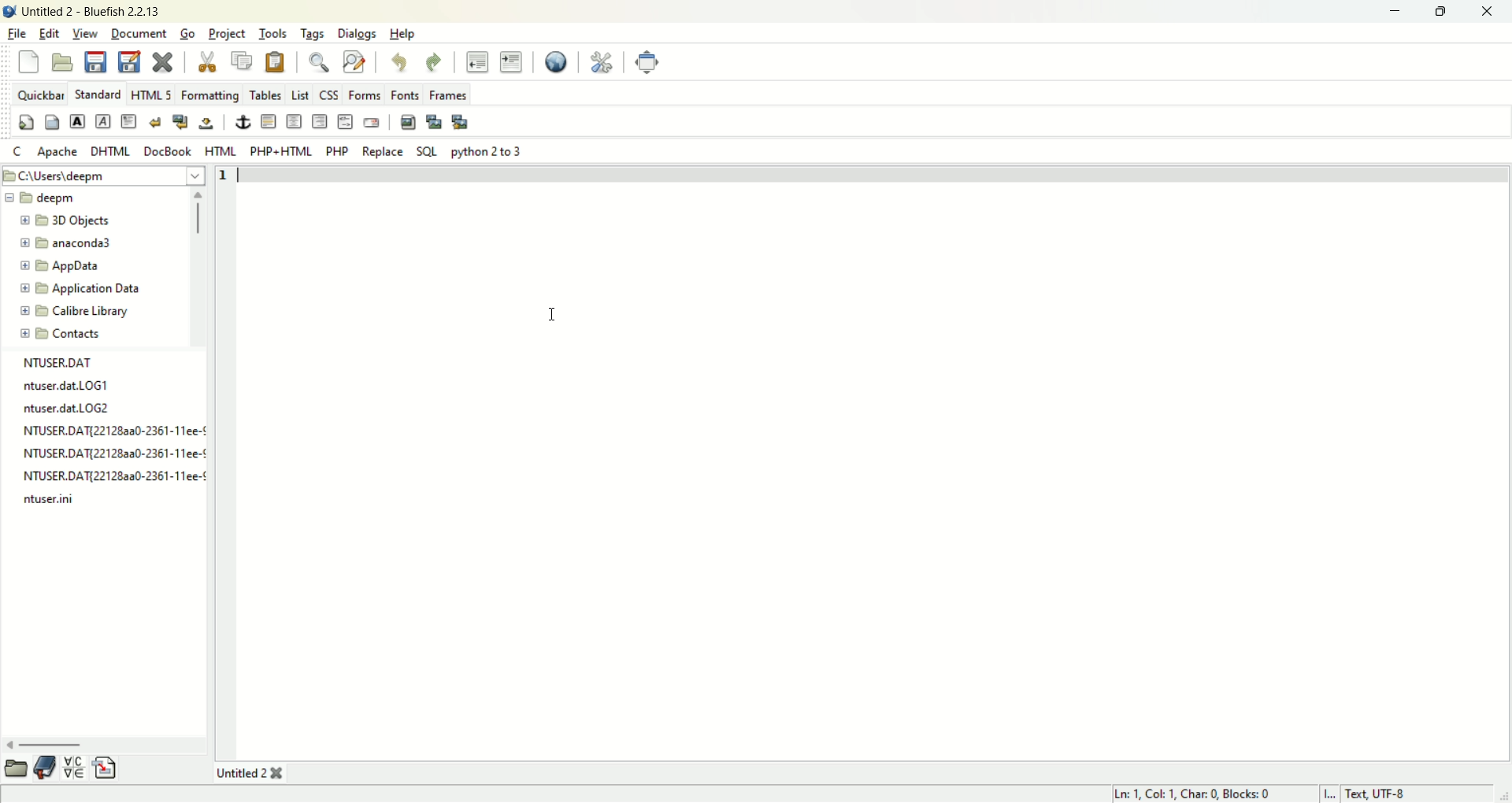 The image size is (1512, 803). What do you see at coordinates (95, 61) in the screenshot?
I see `save current file` at bounding box center [95, 61].